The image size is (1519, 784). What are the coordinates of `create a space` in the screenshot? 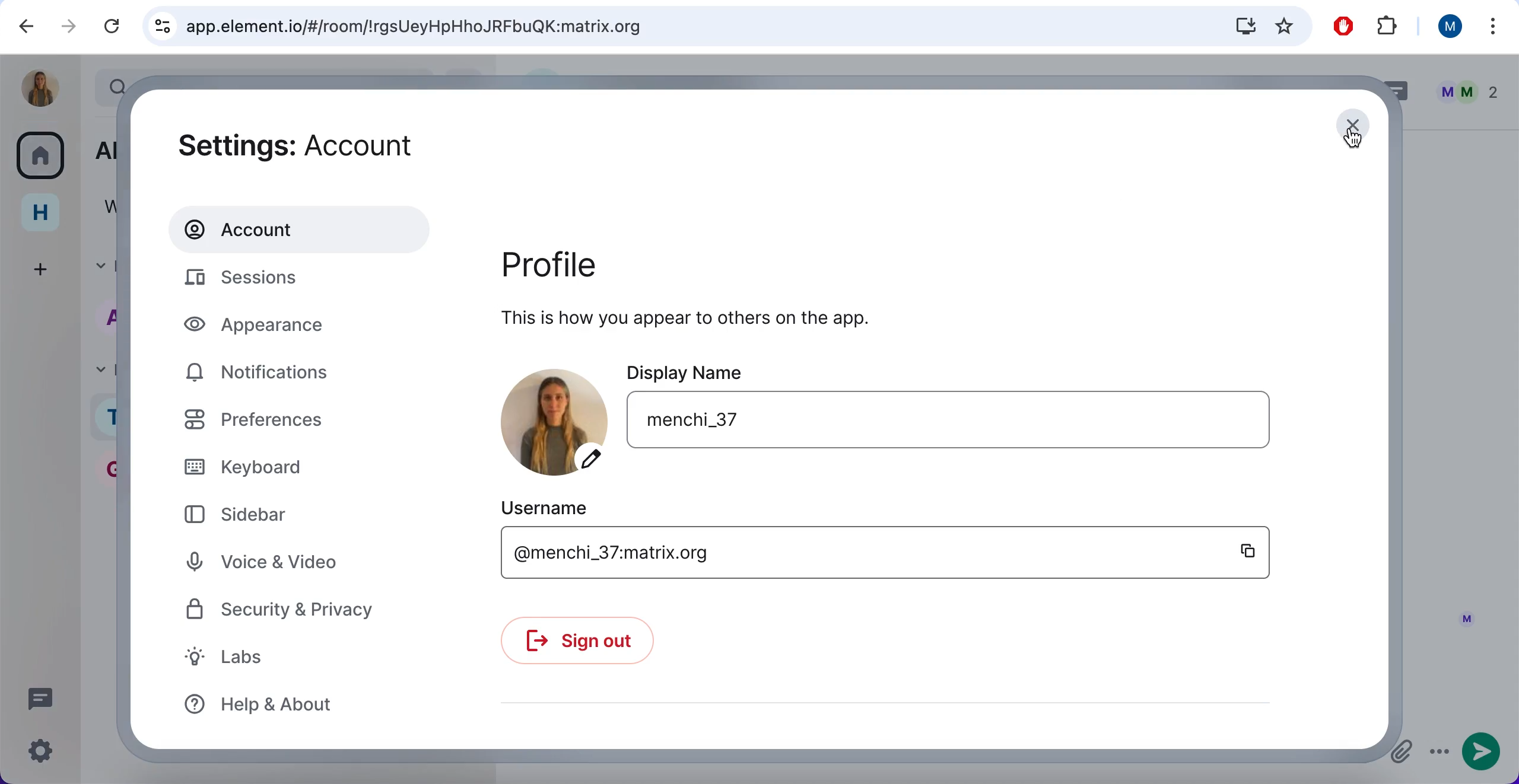 It's located at (38, 267).